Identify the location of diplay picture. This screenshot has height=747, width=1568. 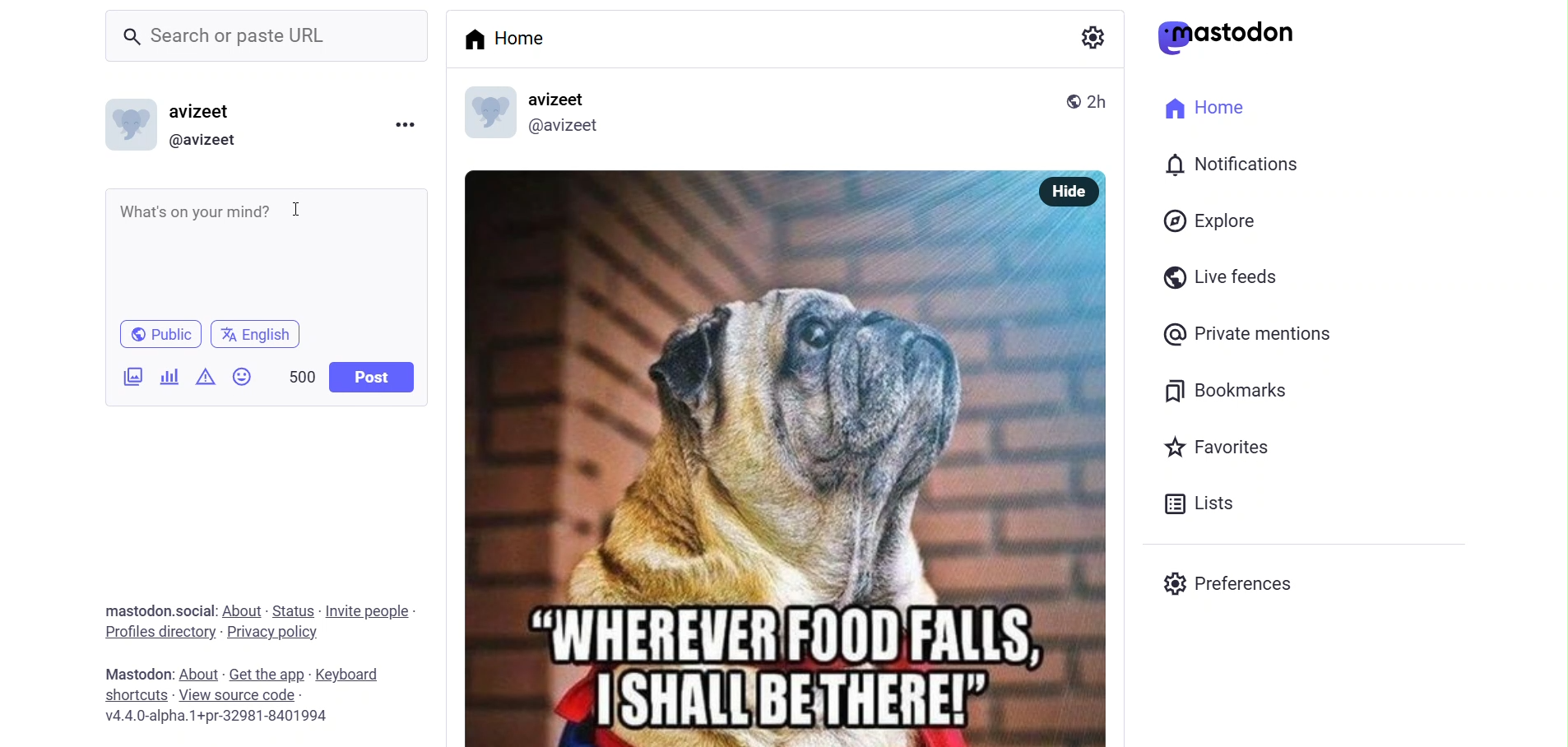
(488, 113).